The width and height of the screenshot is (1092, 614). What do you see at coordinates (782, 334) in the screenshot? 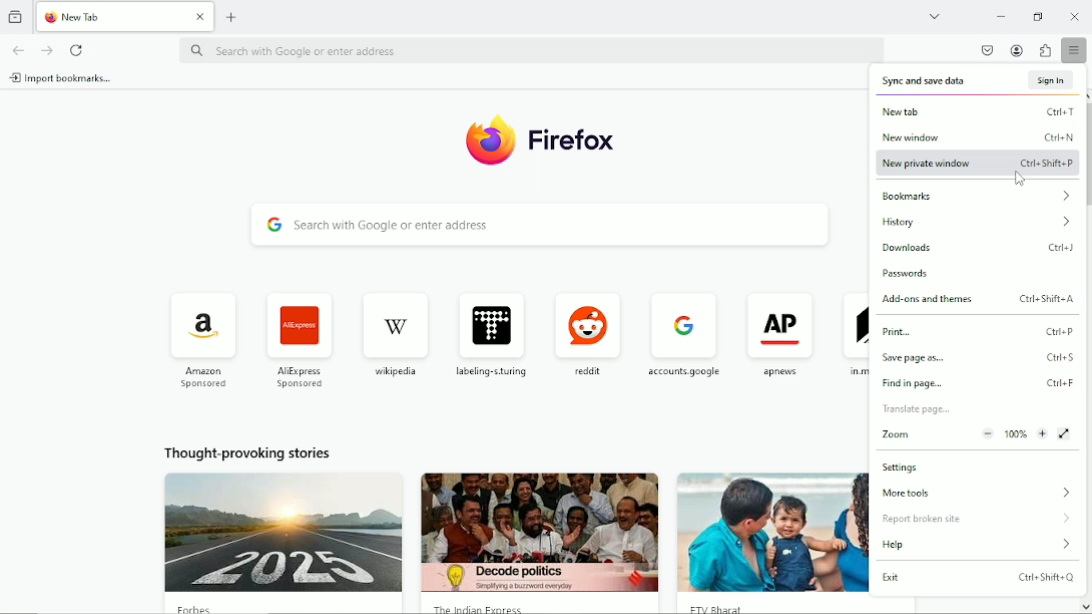
I see `apnews` at bounding box center [782, 334].